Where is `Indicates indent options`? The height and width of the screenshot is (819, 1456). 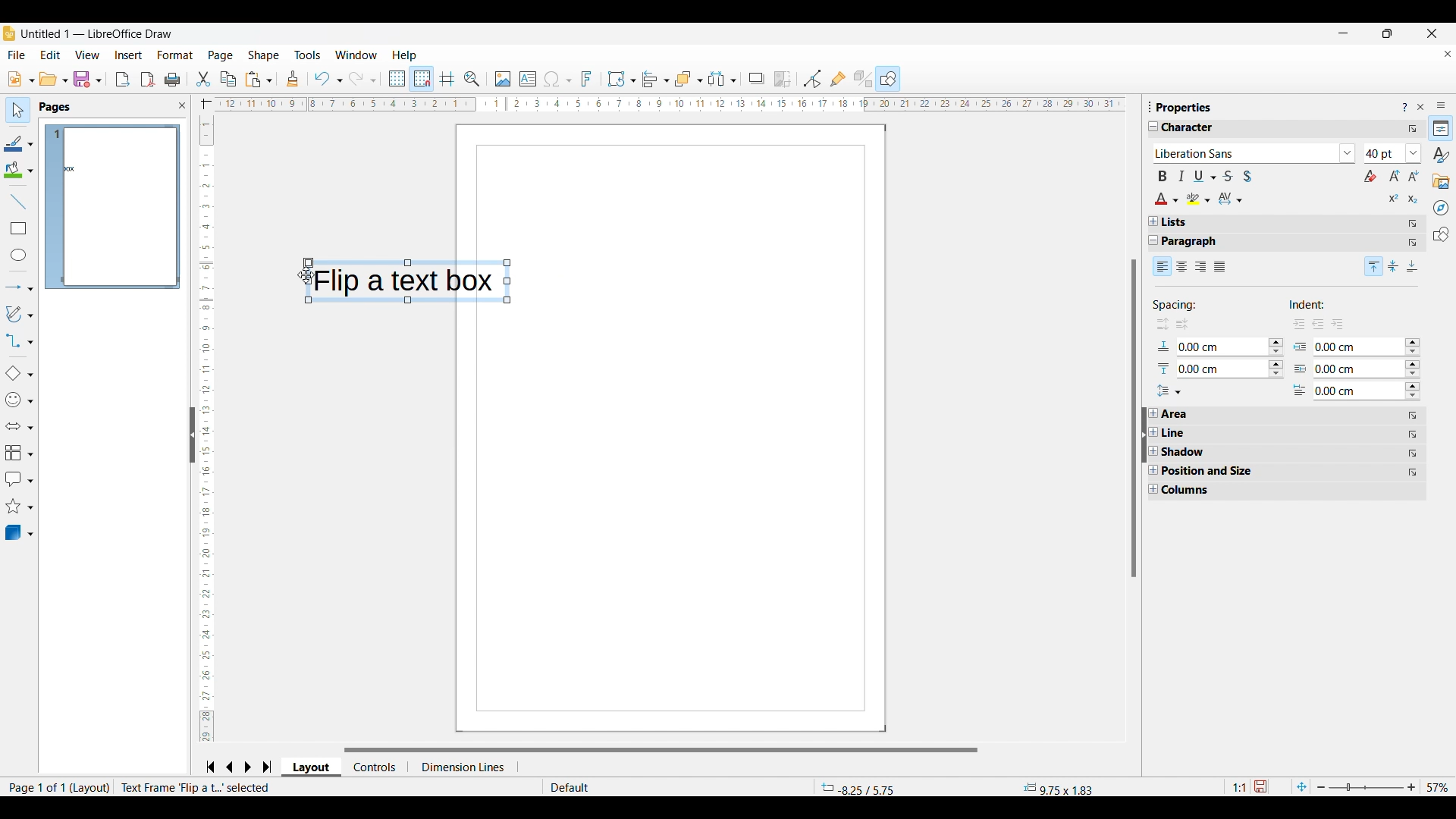
Indicates indent options is located at coordinates (1317, 306).